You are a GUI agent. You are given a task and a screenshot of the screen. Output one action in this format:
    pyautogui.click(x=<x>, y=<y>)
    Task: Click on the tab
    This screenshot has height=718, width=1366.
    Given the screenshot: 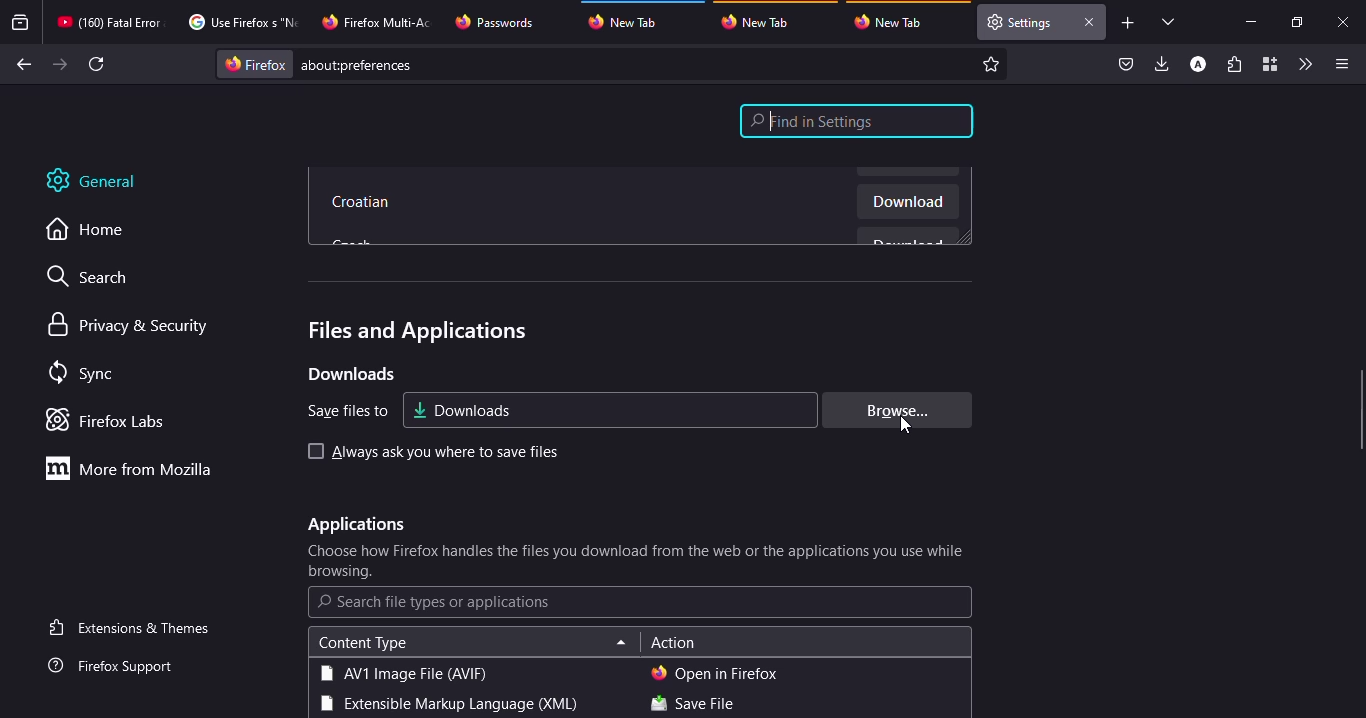 What is the action you would take?
    pyautogui.click(x=497, y=22)
    